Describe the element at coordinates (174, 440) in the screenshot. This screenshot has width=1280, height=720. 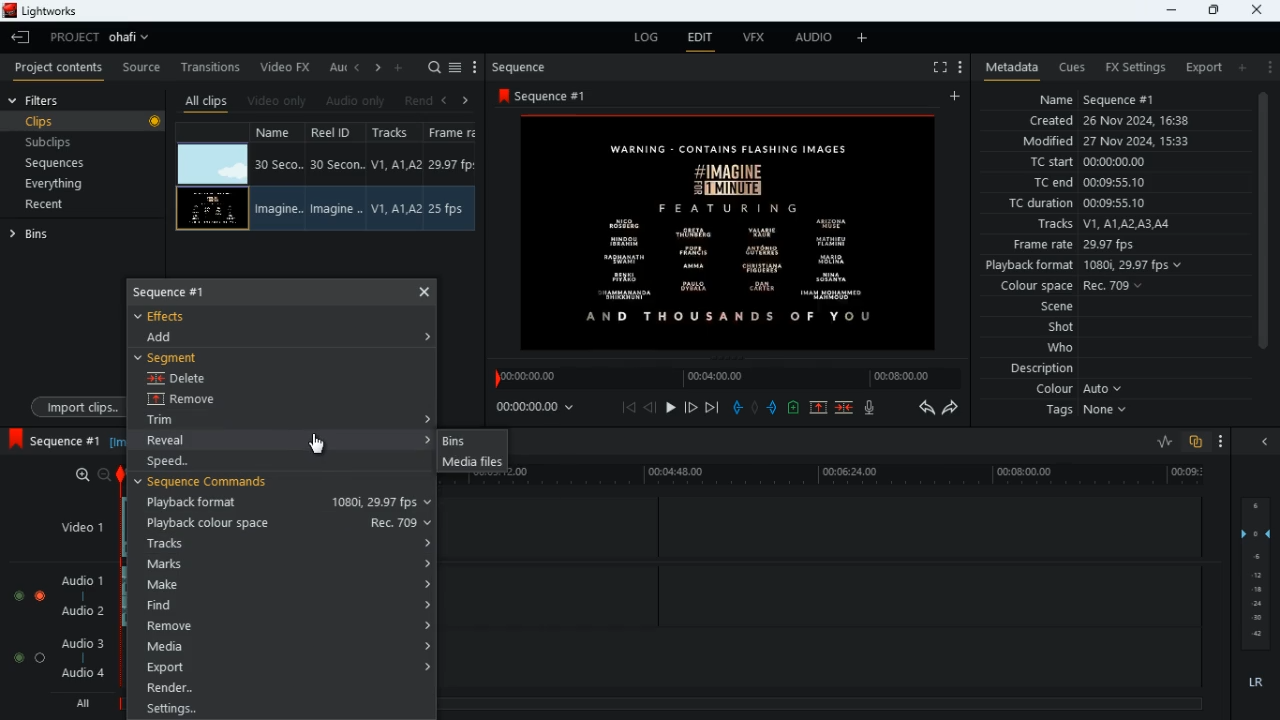
I see `reveal` at that location.